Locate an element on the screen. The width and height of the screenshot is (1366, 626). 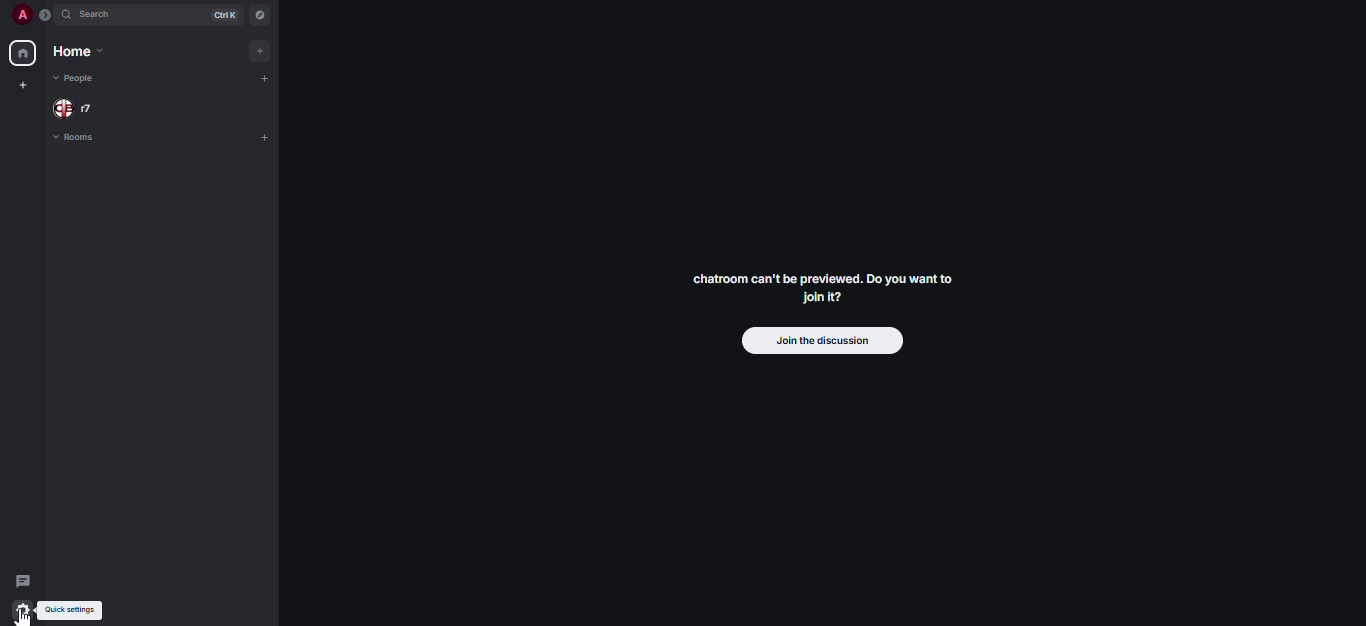
threads is located at coordinates (22, 581).